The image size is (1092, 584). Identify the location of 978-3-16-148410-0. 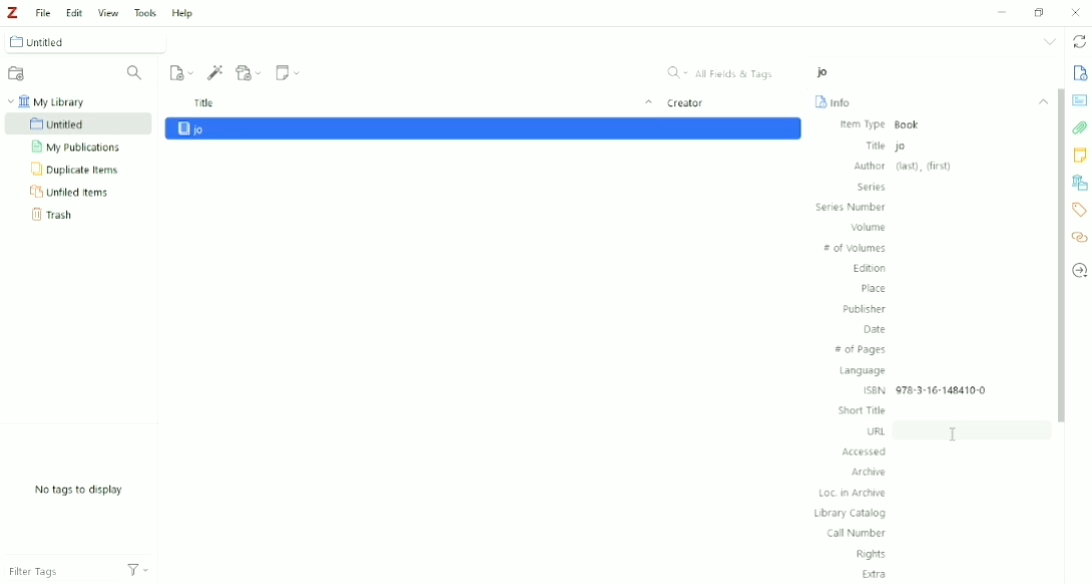
(969, 390).